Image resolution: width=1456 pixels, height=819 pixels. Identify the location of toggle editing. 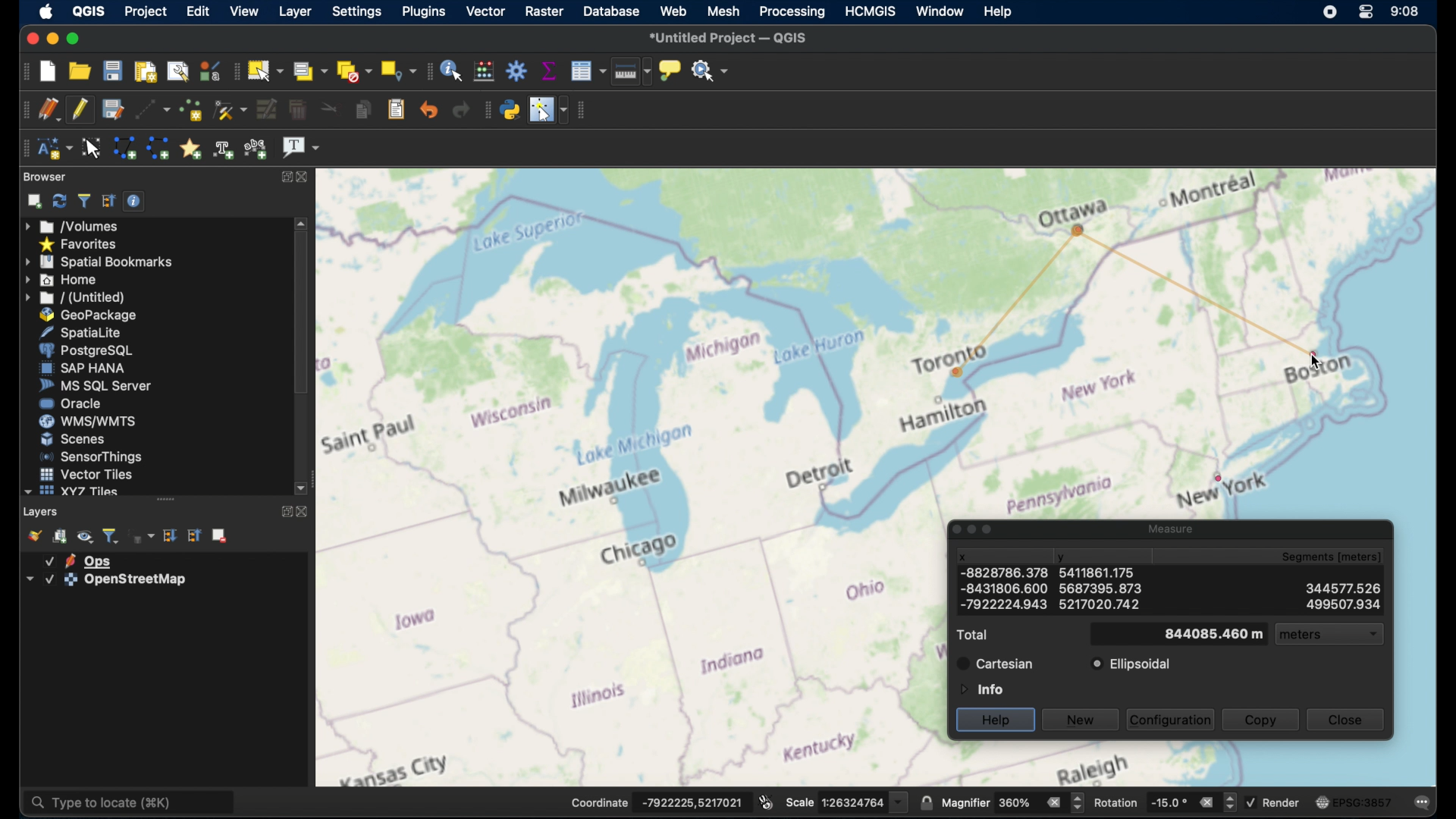
(80, 110).